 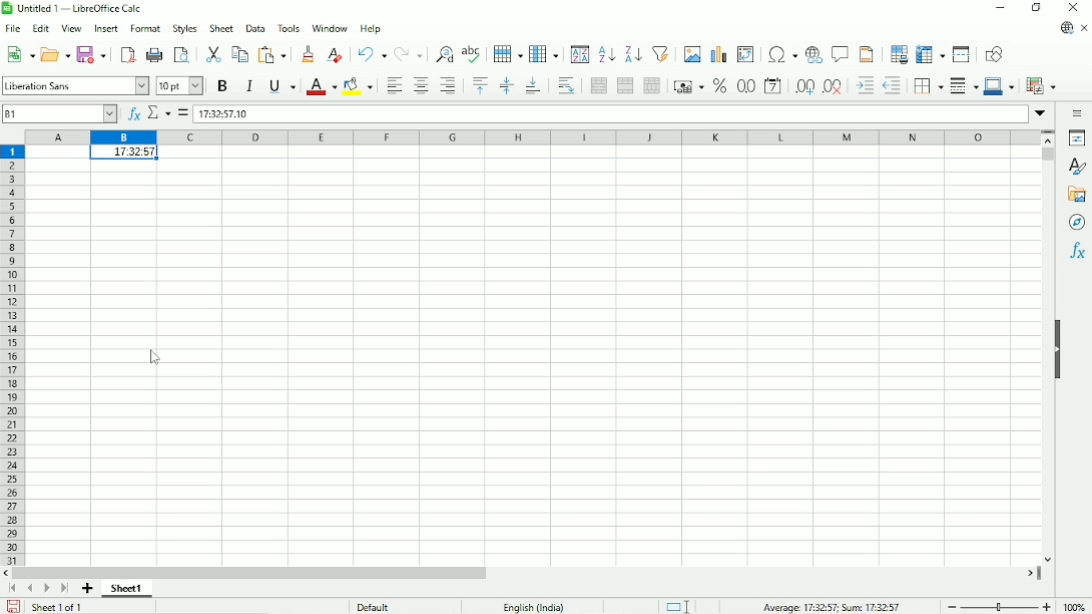 I want to click on Undo, so click(x=372, y=53).